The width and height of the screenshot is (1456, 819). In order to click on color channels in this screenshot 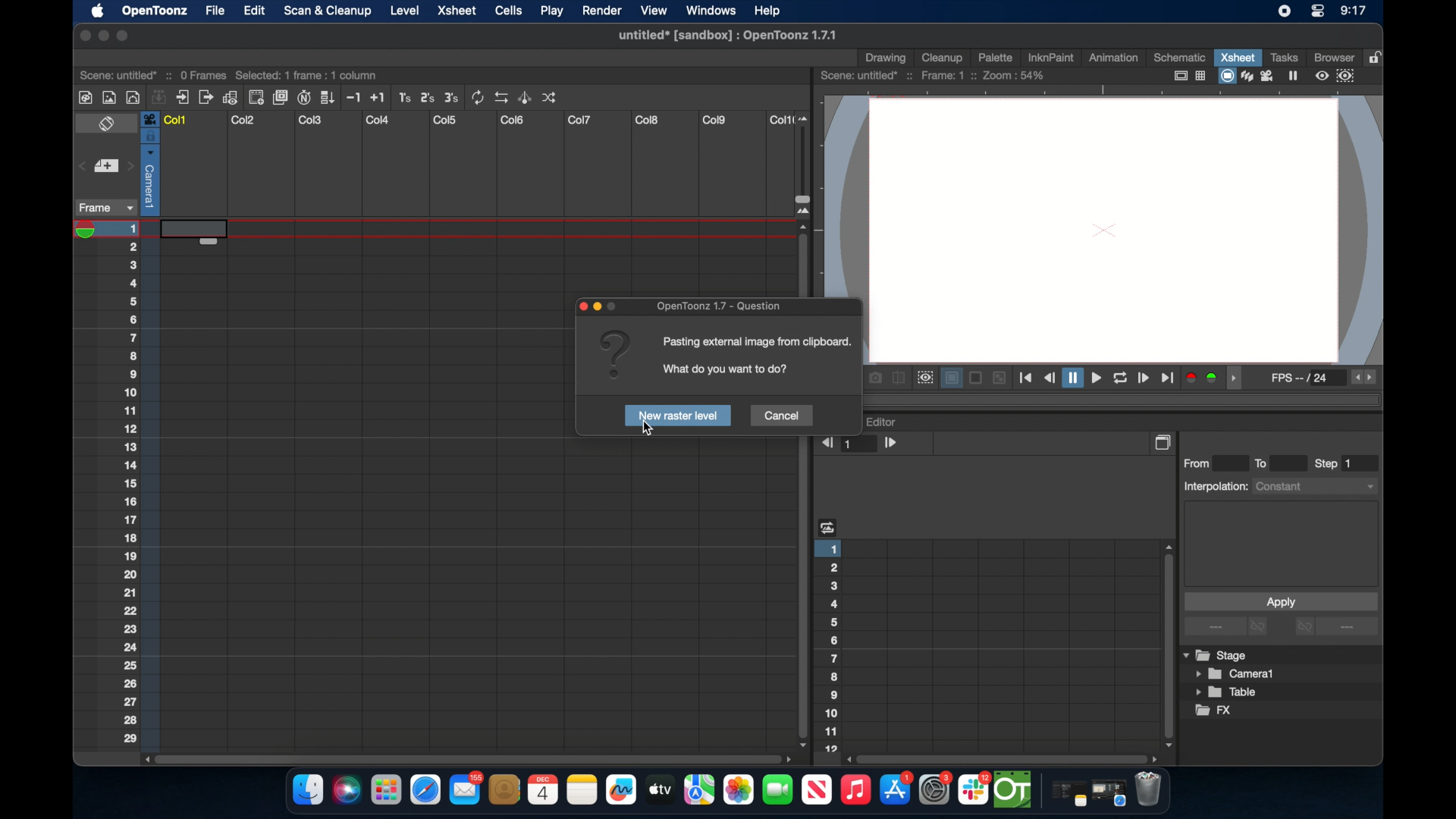, I will do `click(1203, 377)`.